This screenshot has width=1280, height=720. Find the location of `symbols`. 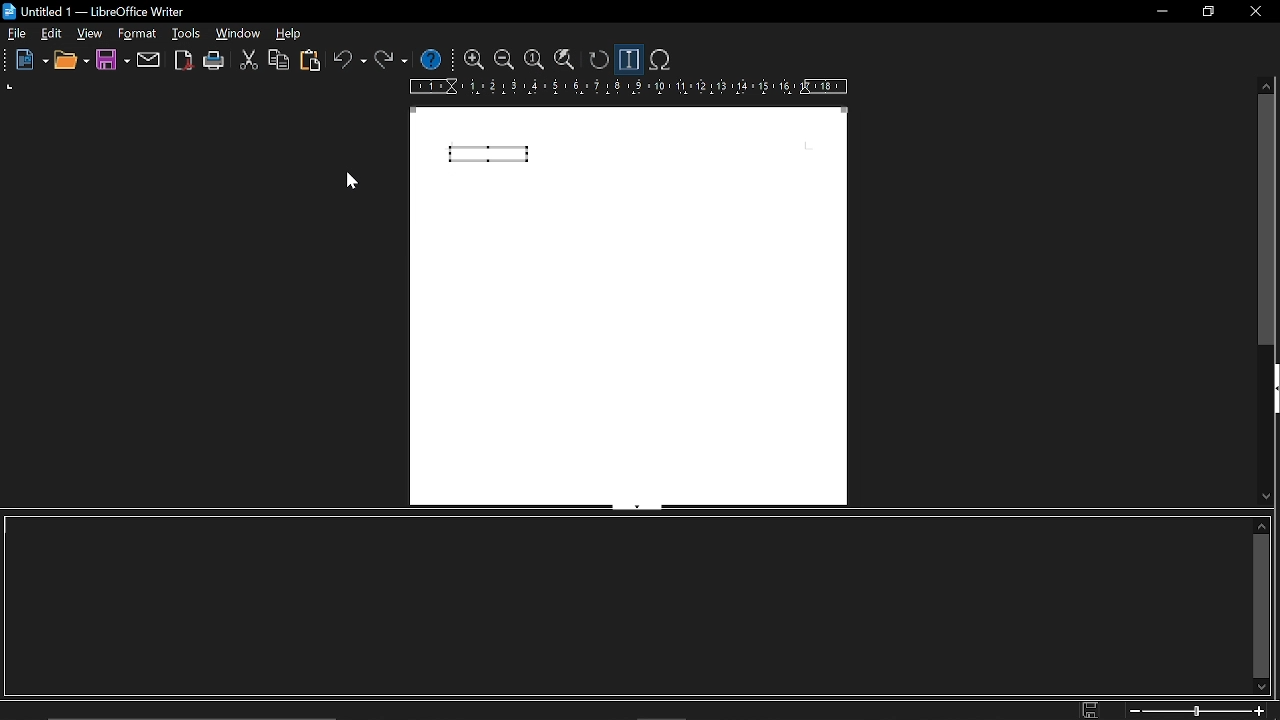

symbols is located at coordinates (662, 60).